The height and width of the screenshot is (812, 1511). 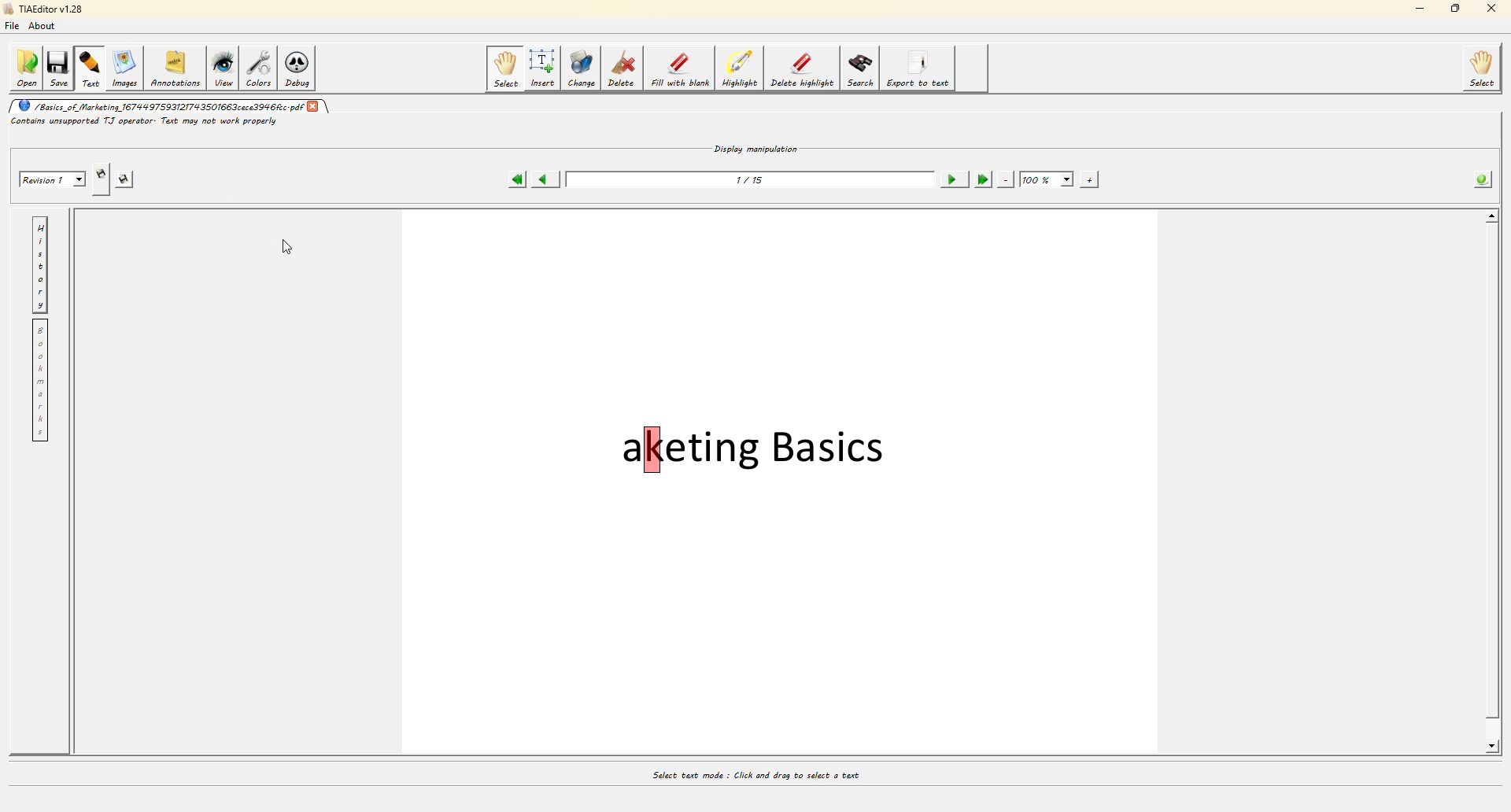 What do you see at coordinates (583, 68) in the screenshot?
I see `change` at bounding box center [583, 68].